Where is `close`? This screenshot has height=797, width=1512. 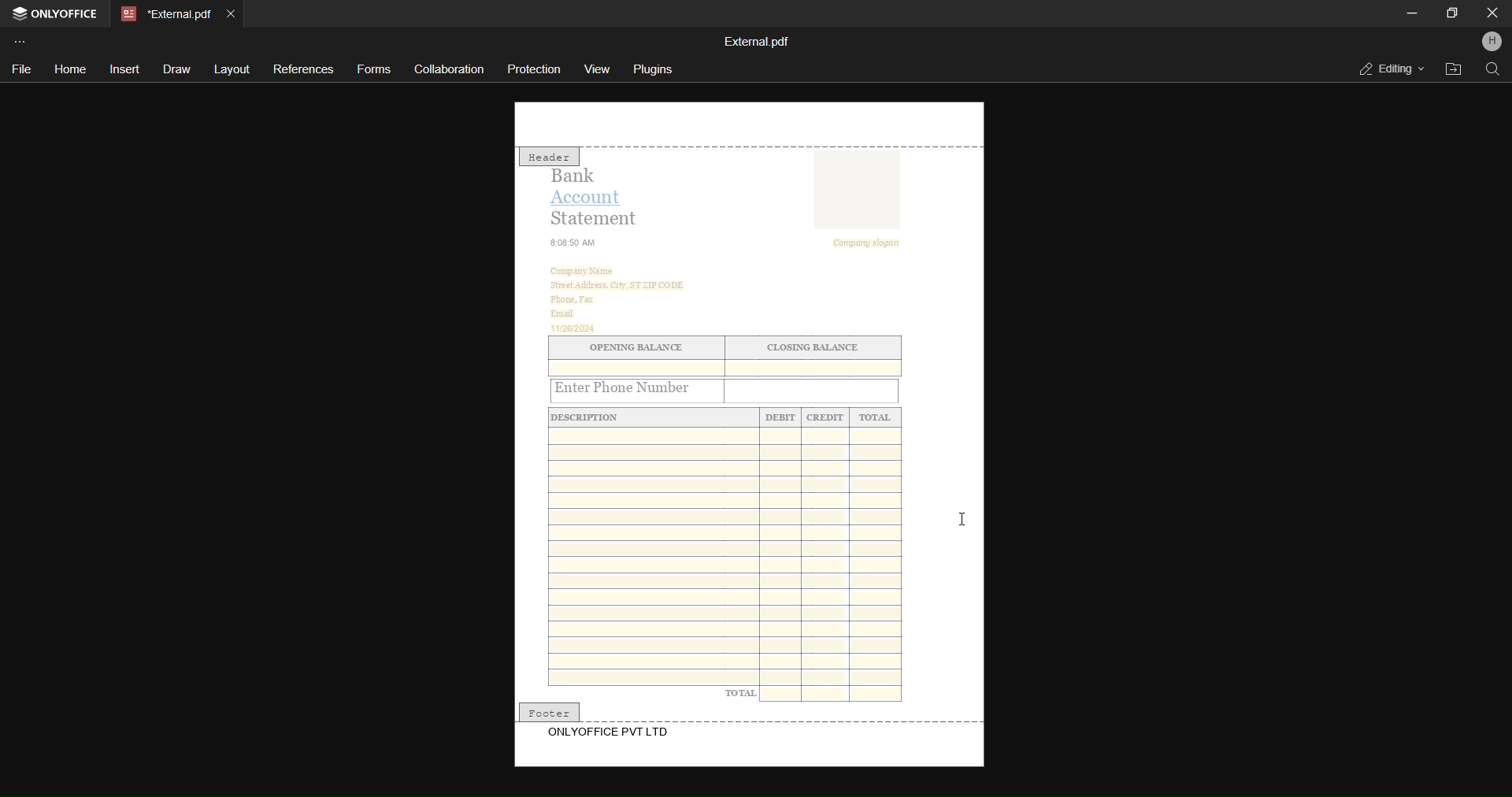
close is located at coordinates (1488, 13).